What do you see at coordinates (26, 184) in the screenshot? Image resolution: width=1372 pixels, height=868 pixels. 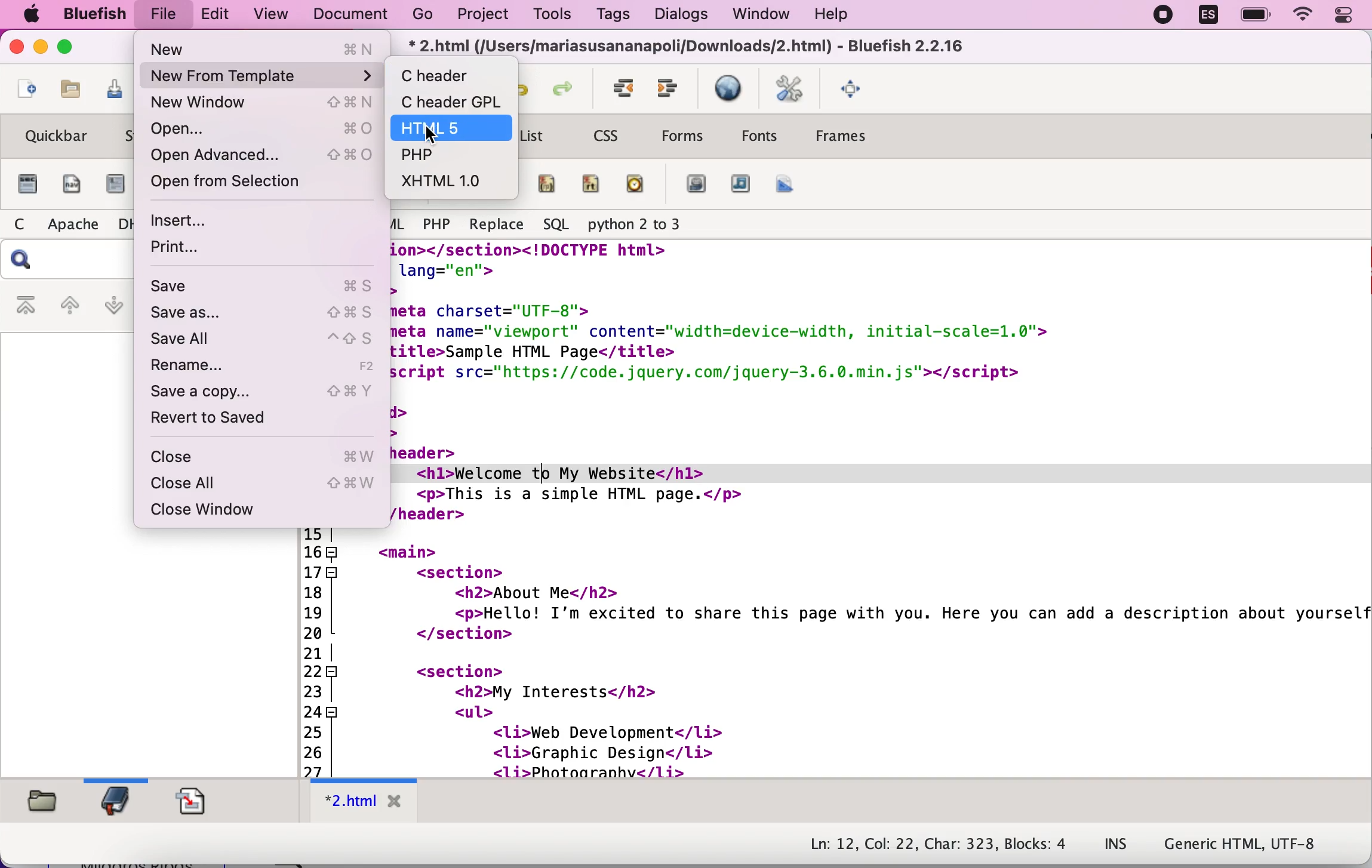 I see `section` at bounding box center [26, 184].